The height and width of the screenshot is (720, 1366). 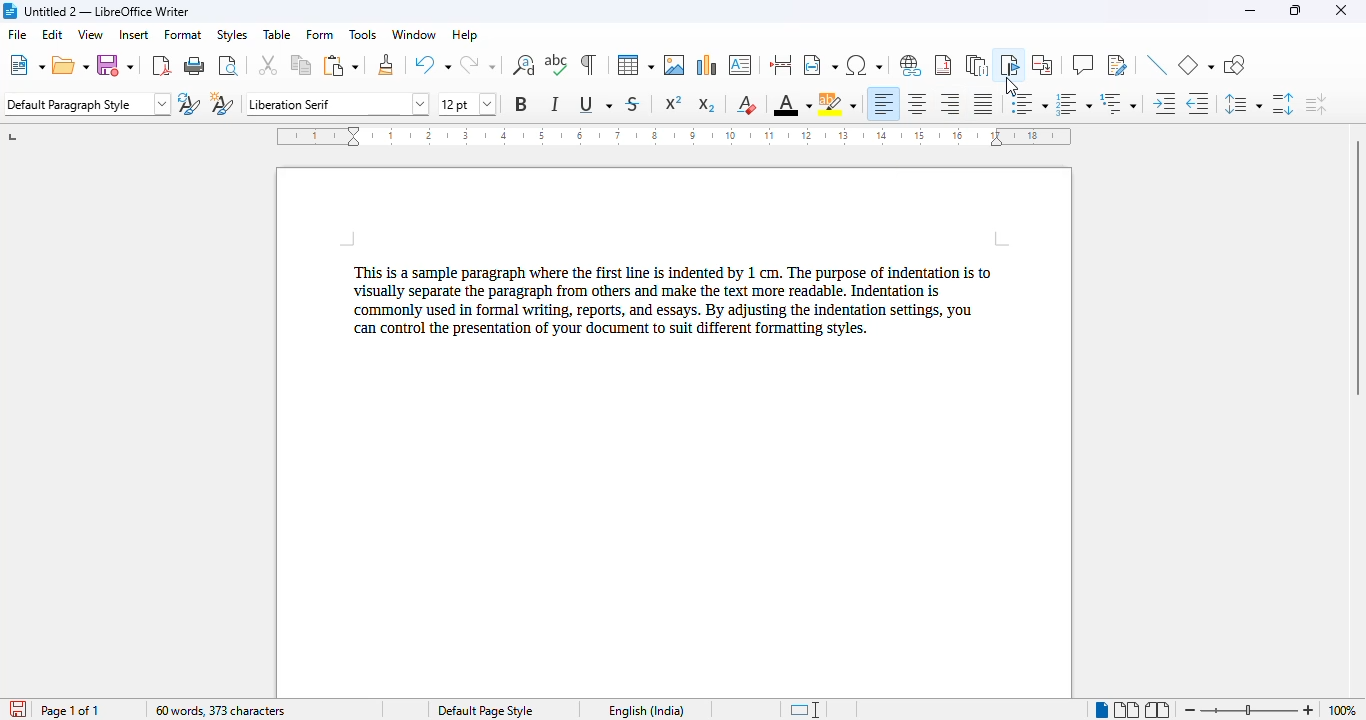 I want to click on font name, so click(x=339, y=103).